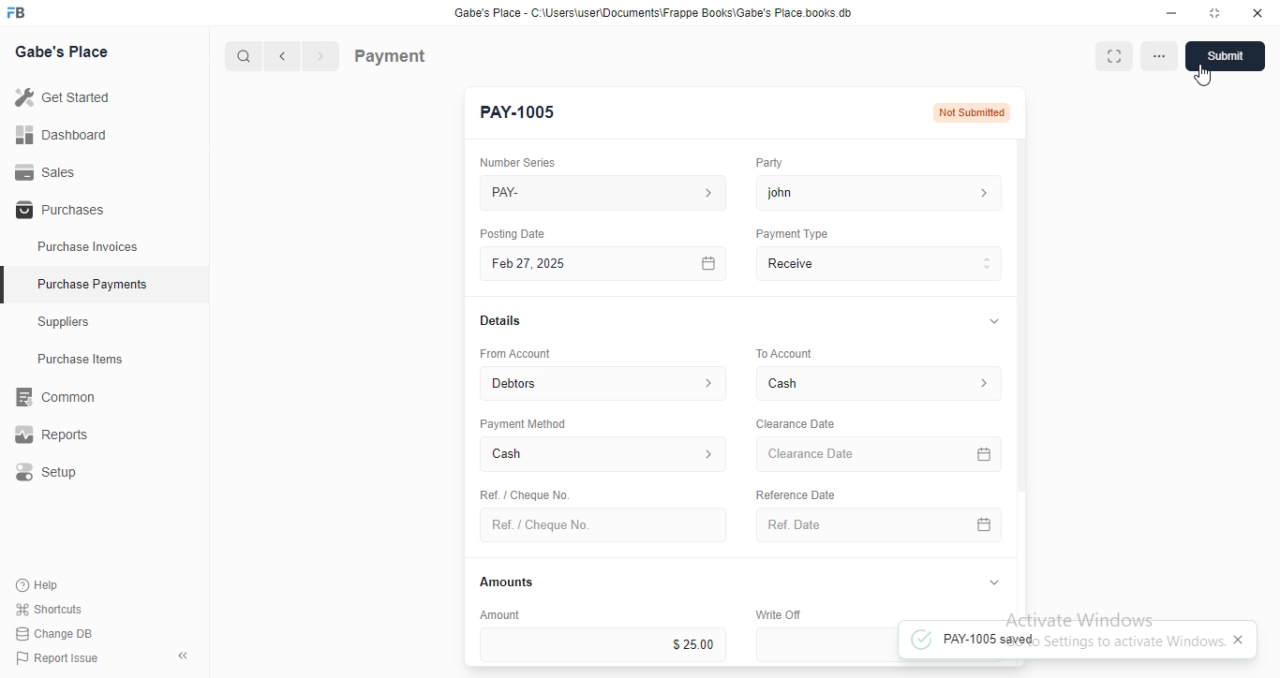 The width and height of the screenshot is (1280, 678). I want to click on Sales, so click(45, 171).